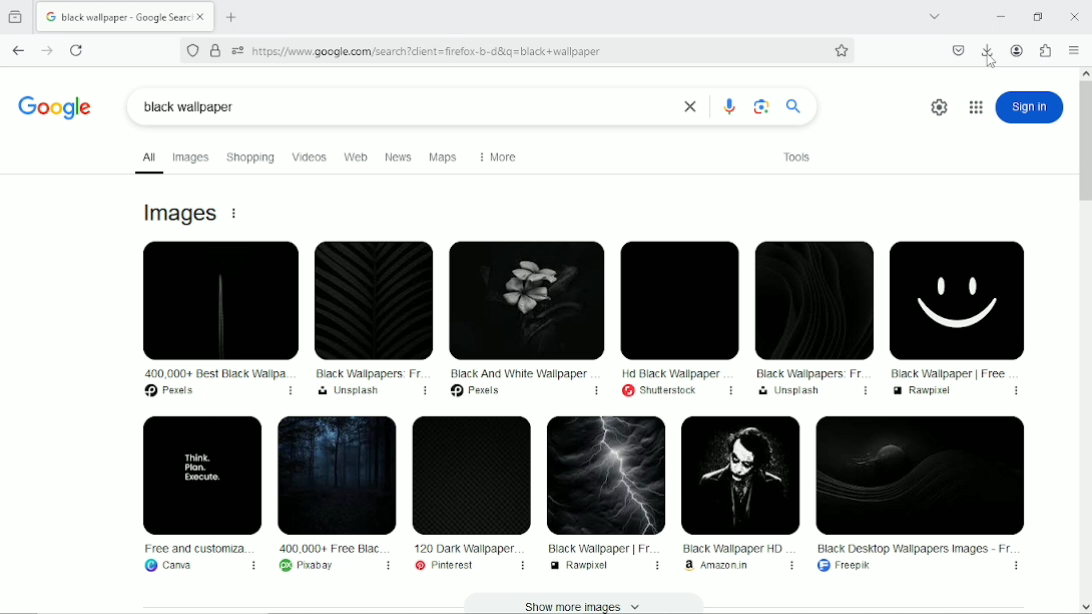 The width and height of the screenshot is (1092, 614). What do you see at coordinates (975, 107) in the screenshot?
I see `Google apps` at bounding box center [975, 107].